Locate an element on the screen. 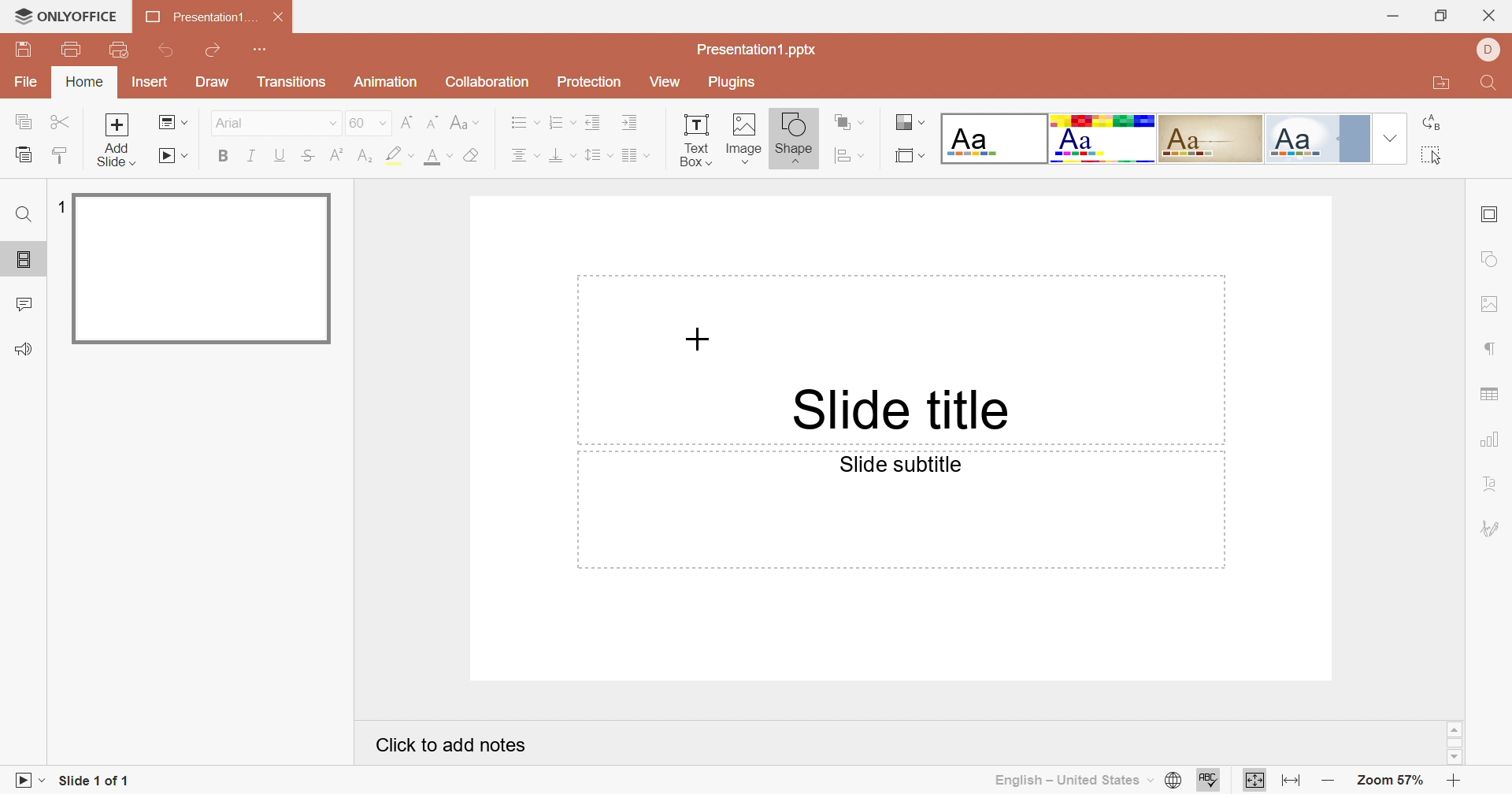  Insert columns is located at coordinates (636, 156).